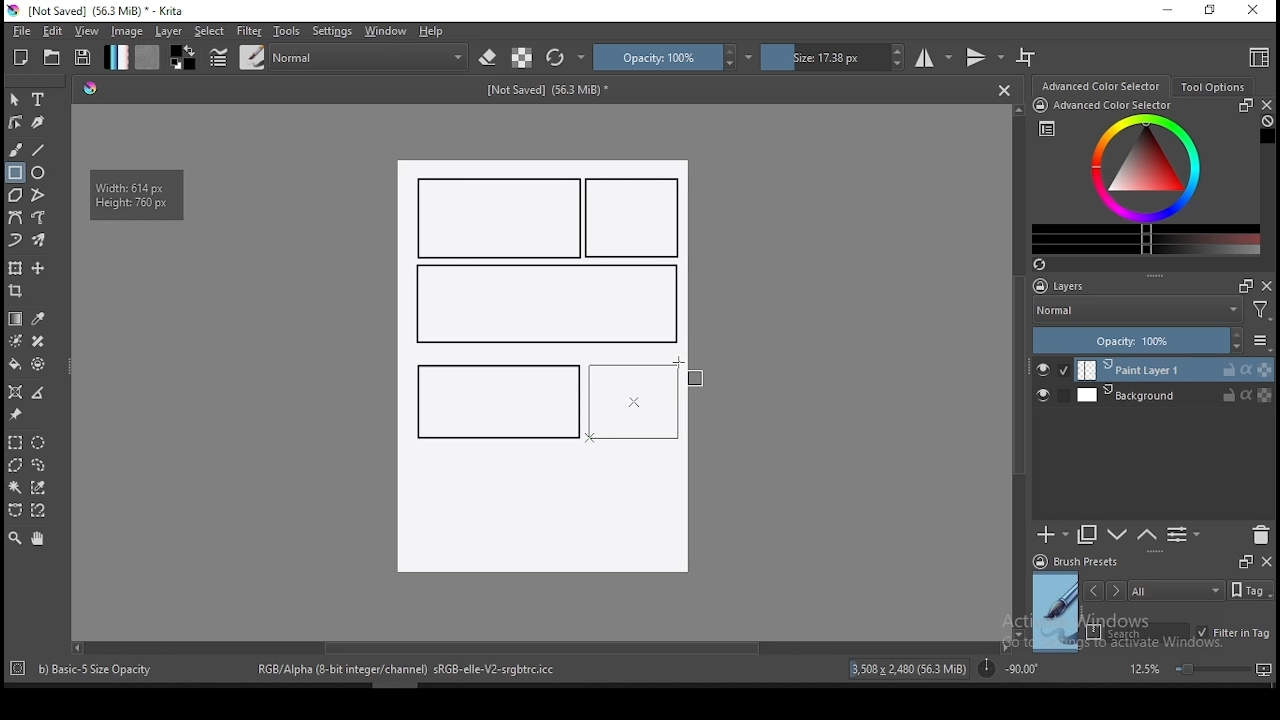 This screenshot has width=1280, height=720. Describe the element at coordinates (52, 30) in the screenshot. I see `edit` at that location.